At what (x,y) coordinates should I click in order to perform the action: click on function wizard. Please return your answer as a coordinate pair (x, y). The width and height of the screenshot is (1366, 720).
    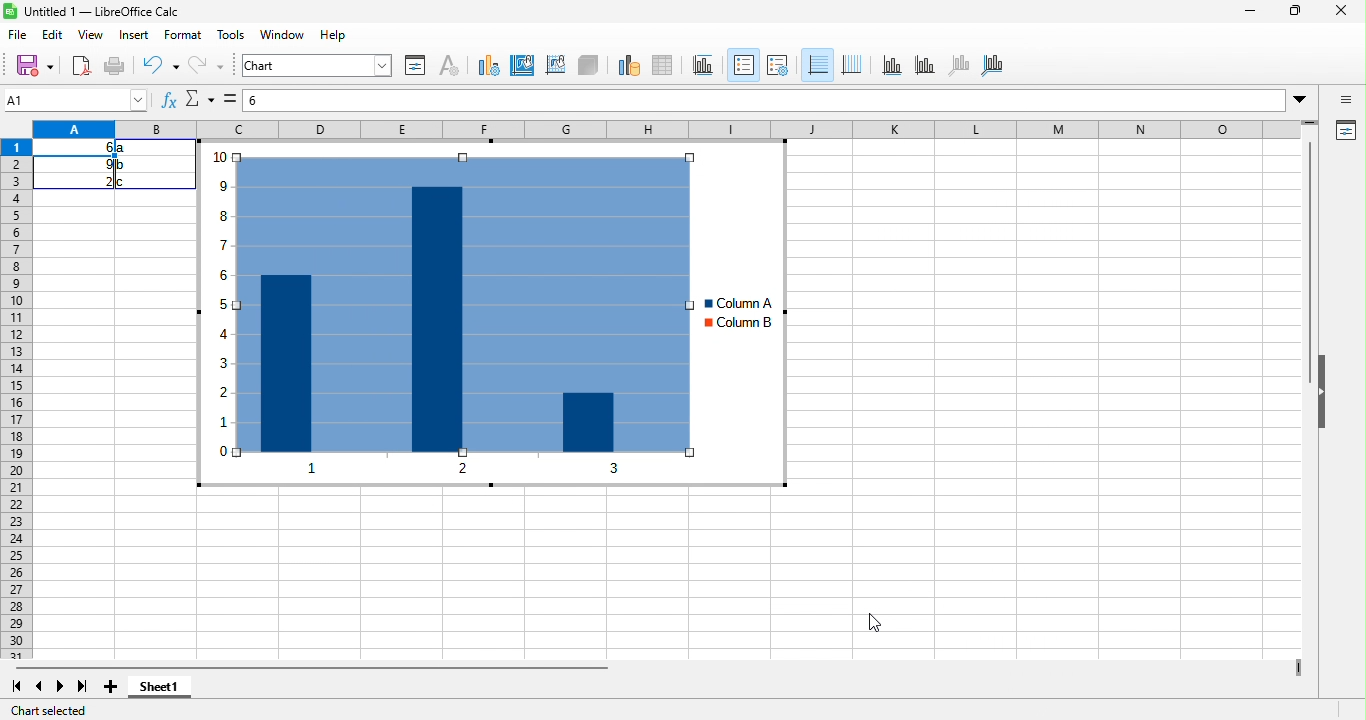
    Looking at the image, I should click on (168, 101).